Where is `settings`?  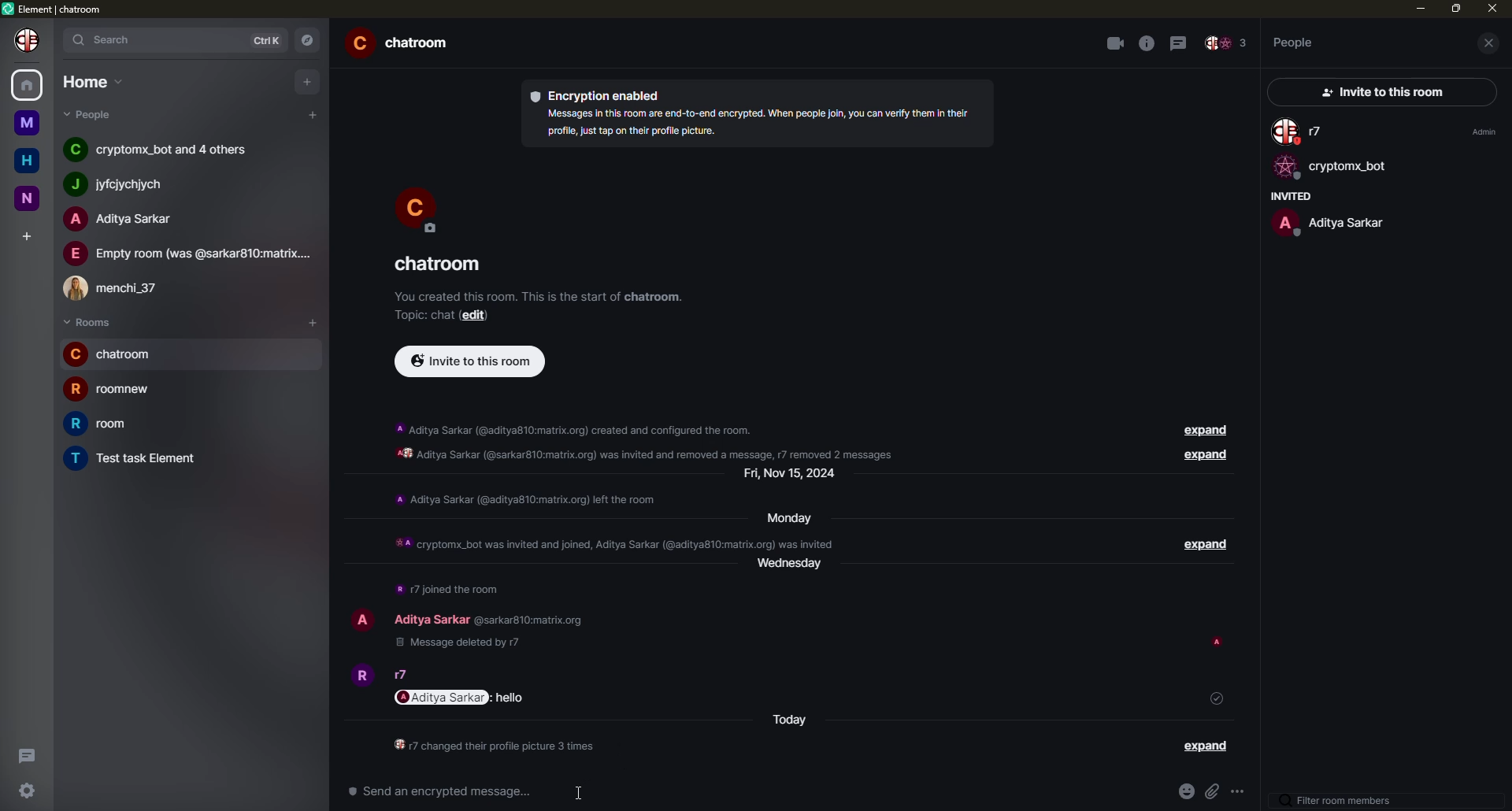
settings is located at coordinates (28, 789).